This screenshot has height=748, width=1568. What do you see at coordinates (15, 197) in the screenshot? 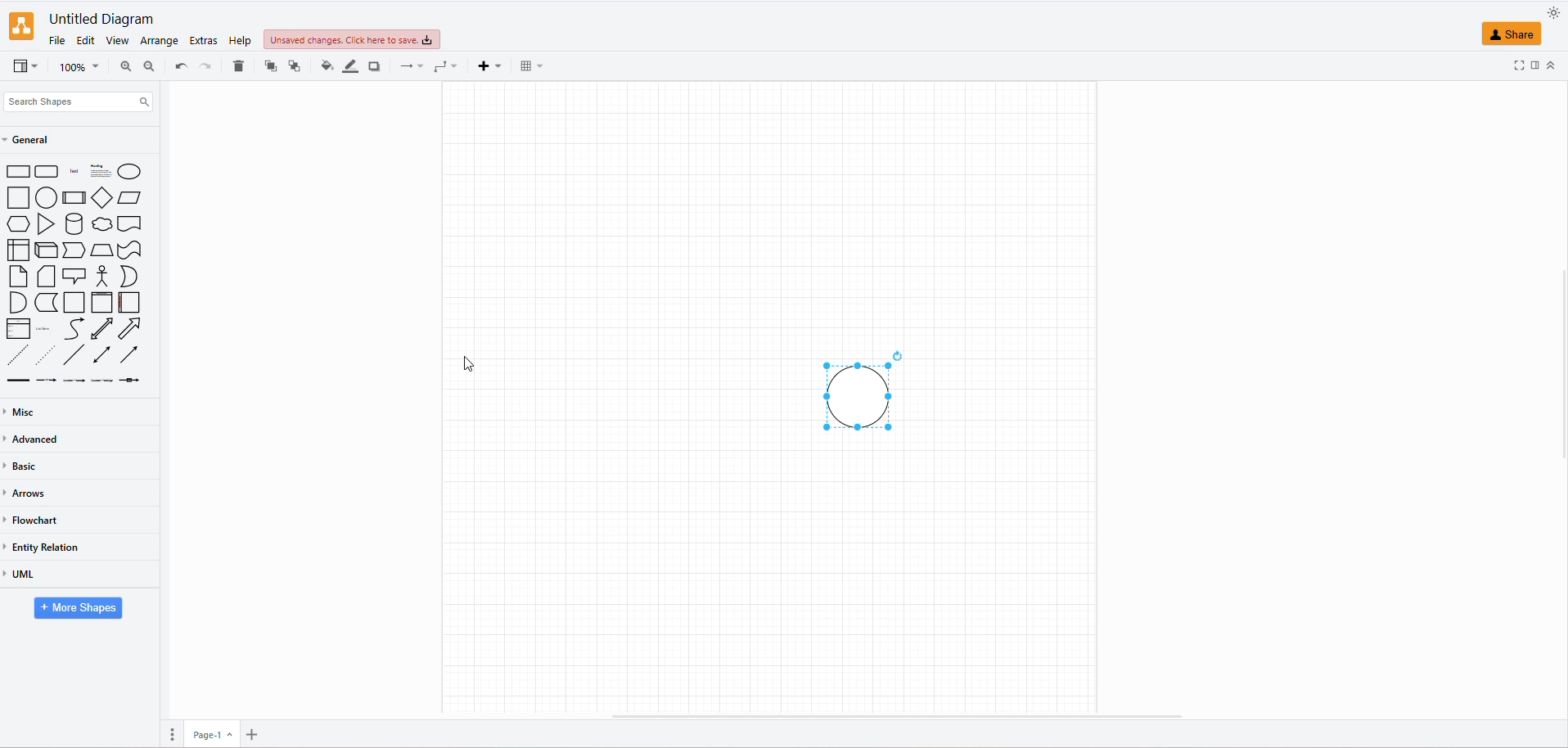
I see `SQUARE` at bounding box center [15, 197].